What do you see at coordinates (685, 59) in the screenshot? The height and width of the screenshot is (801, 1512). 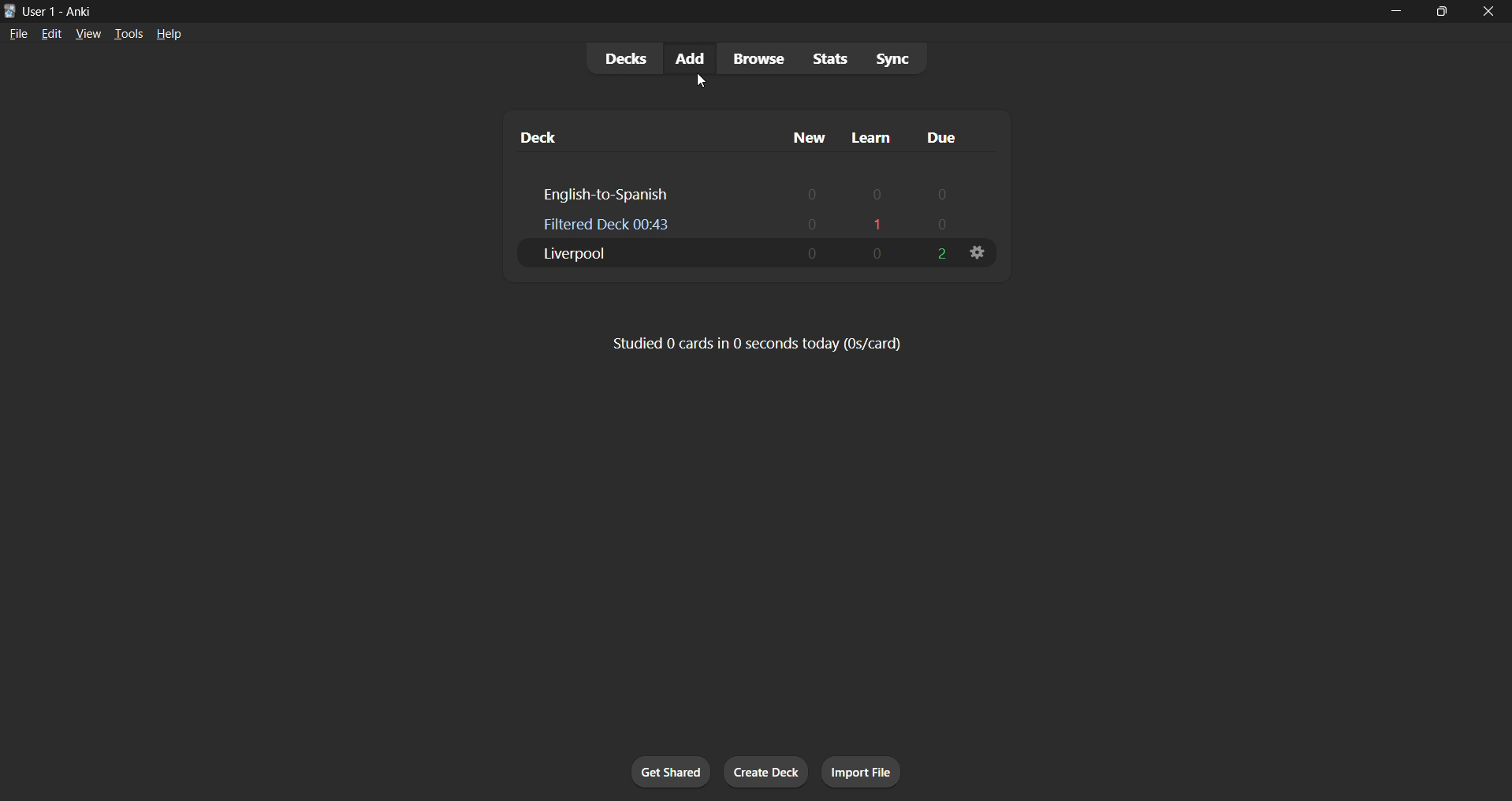 I see `add` at bounding box center [685, 59].